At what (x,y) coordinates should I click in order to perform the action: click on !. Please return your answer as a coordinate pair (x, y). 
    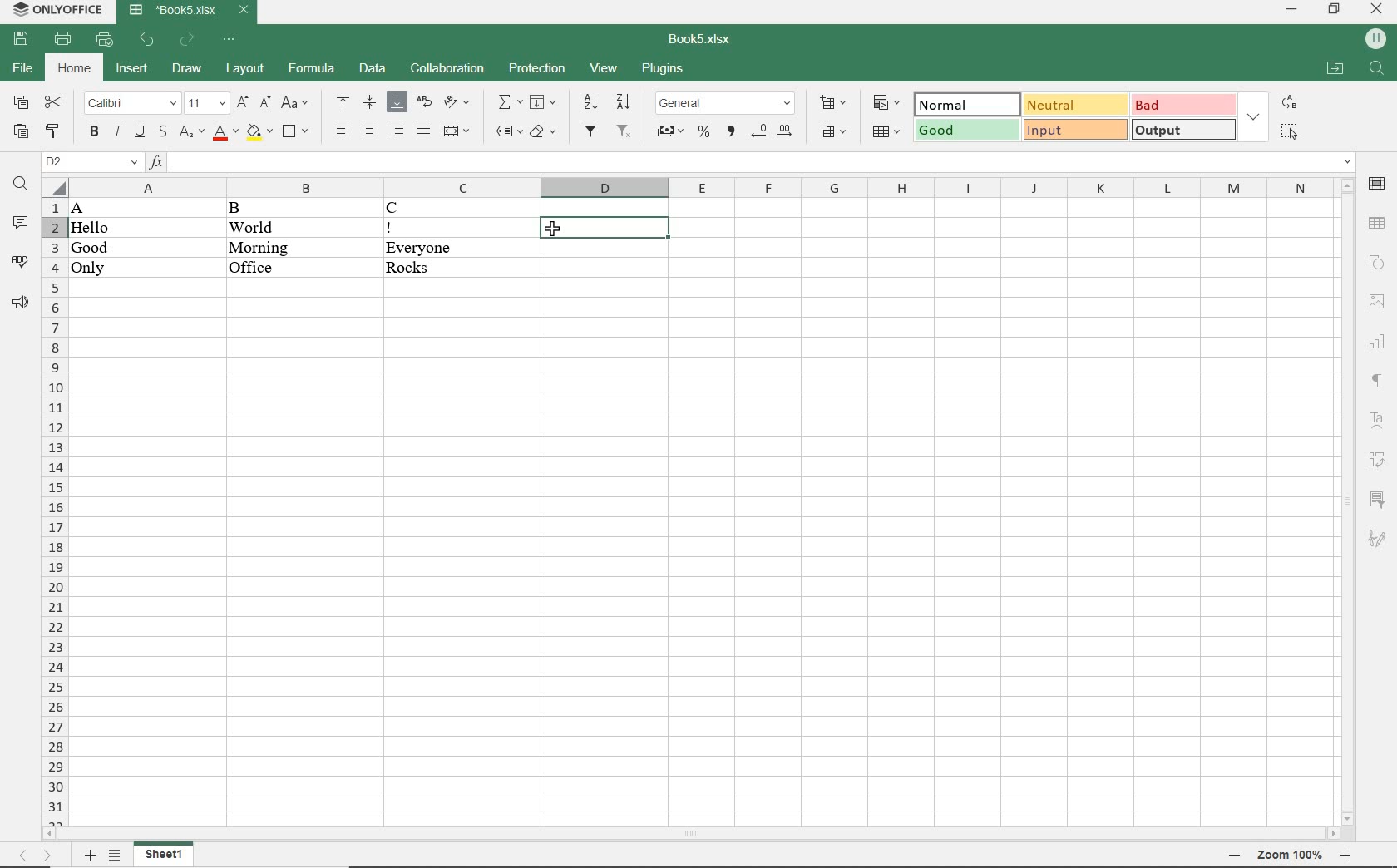
    Looking at the image, I should click on (442, 228).